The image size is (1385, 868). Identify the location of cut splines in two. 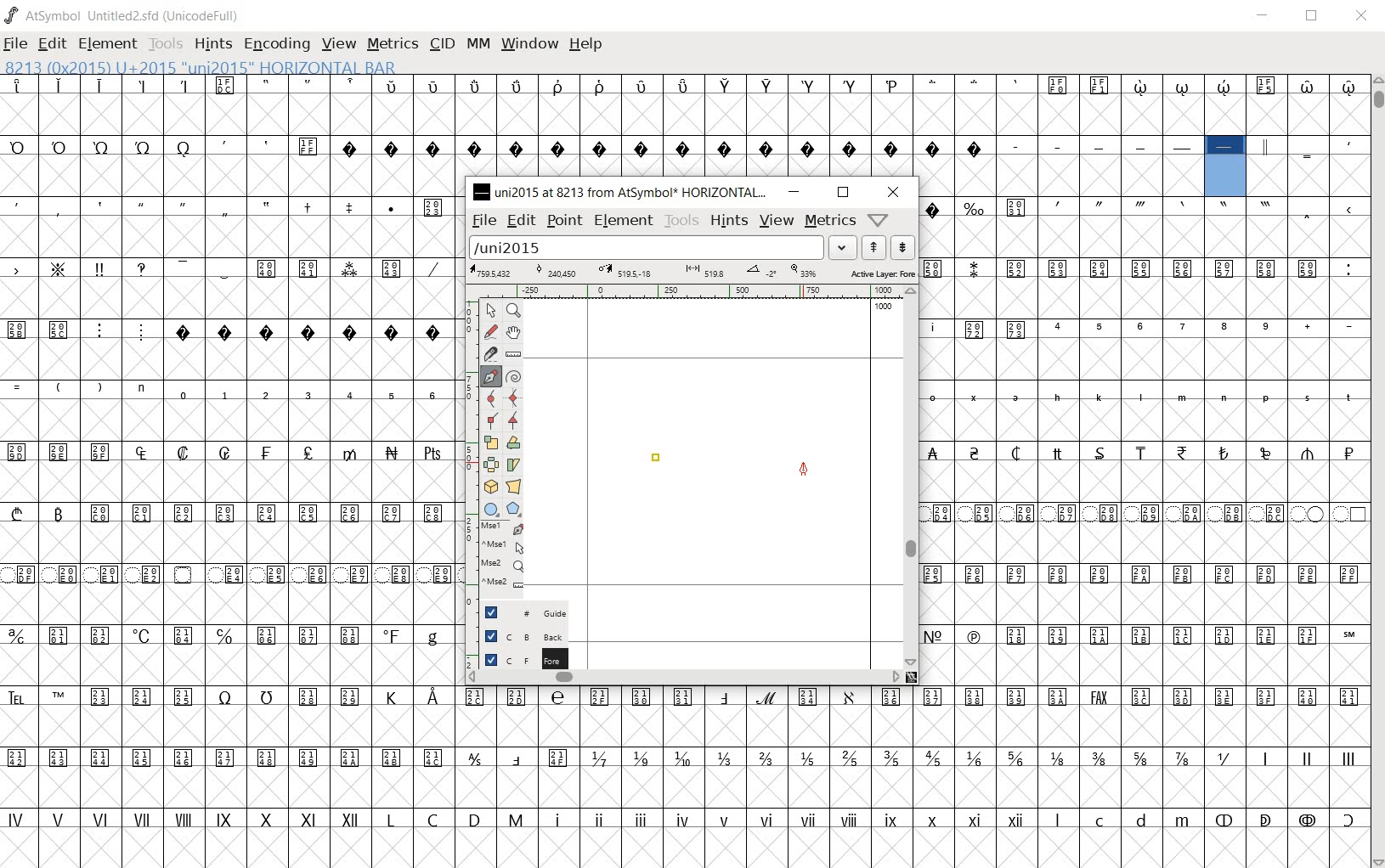
(488, 352).